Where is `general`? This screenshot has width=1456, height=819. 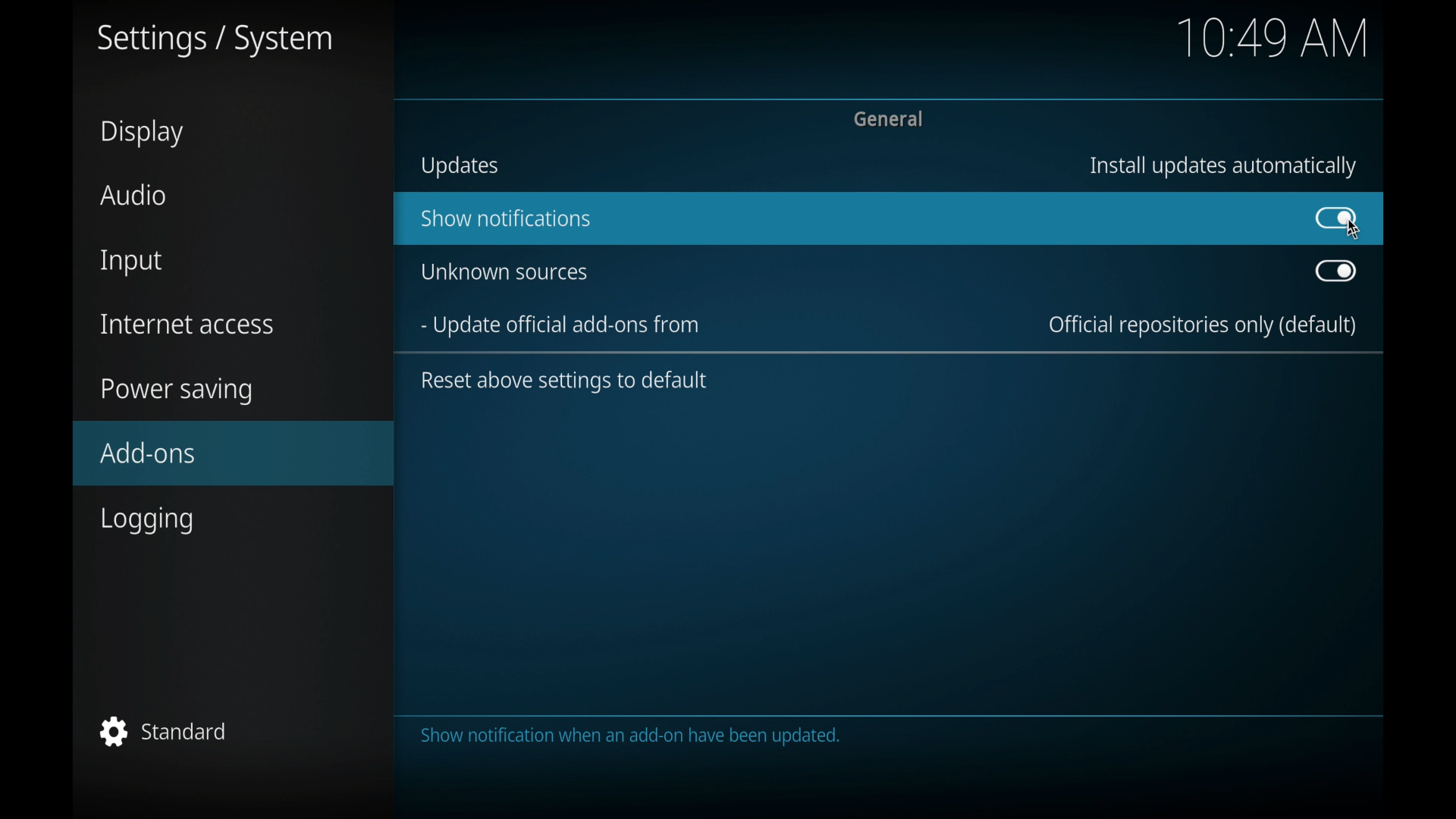 general is located at coordinates (891, 119).